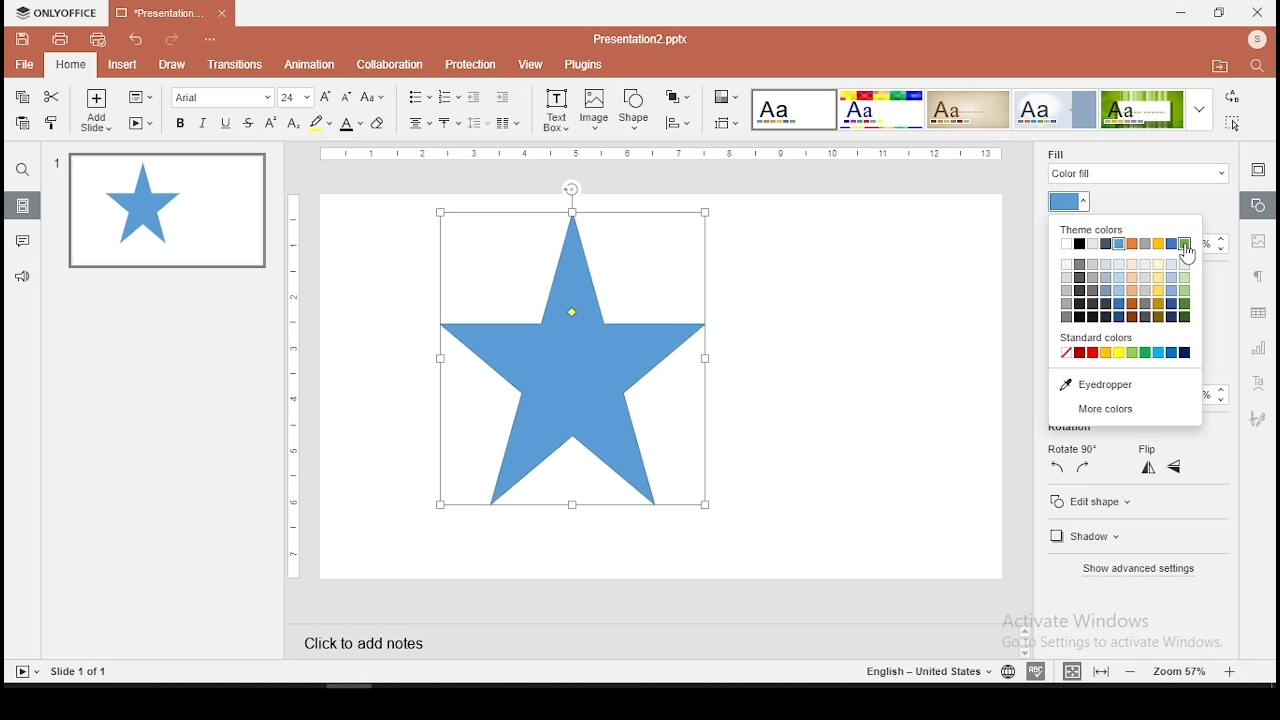  What do you see at coordinates (1255, 41) in the screenshot?
I see `profile` at bounding box center [1255, 41].